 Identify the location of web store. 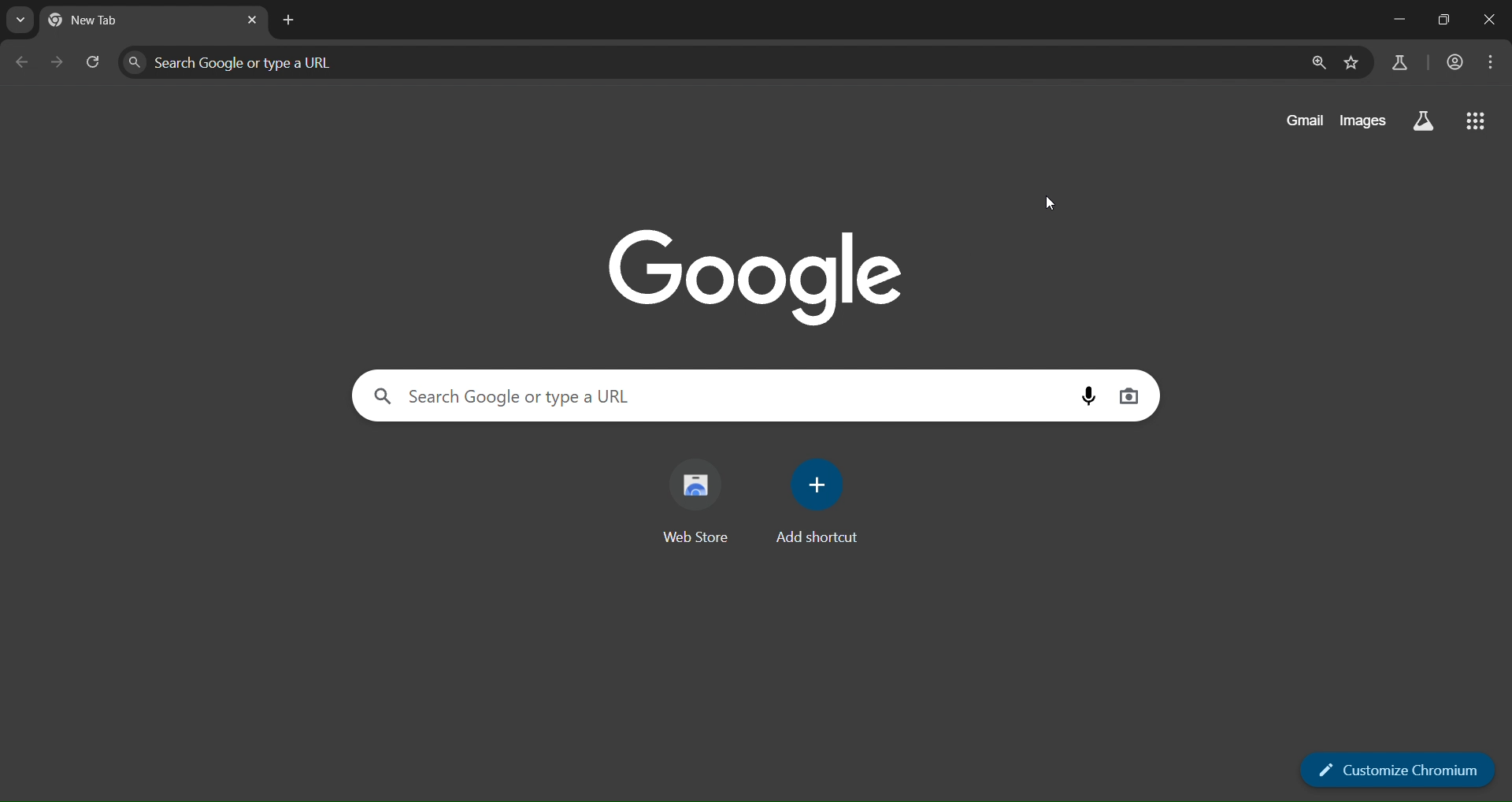
(699, 493).